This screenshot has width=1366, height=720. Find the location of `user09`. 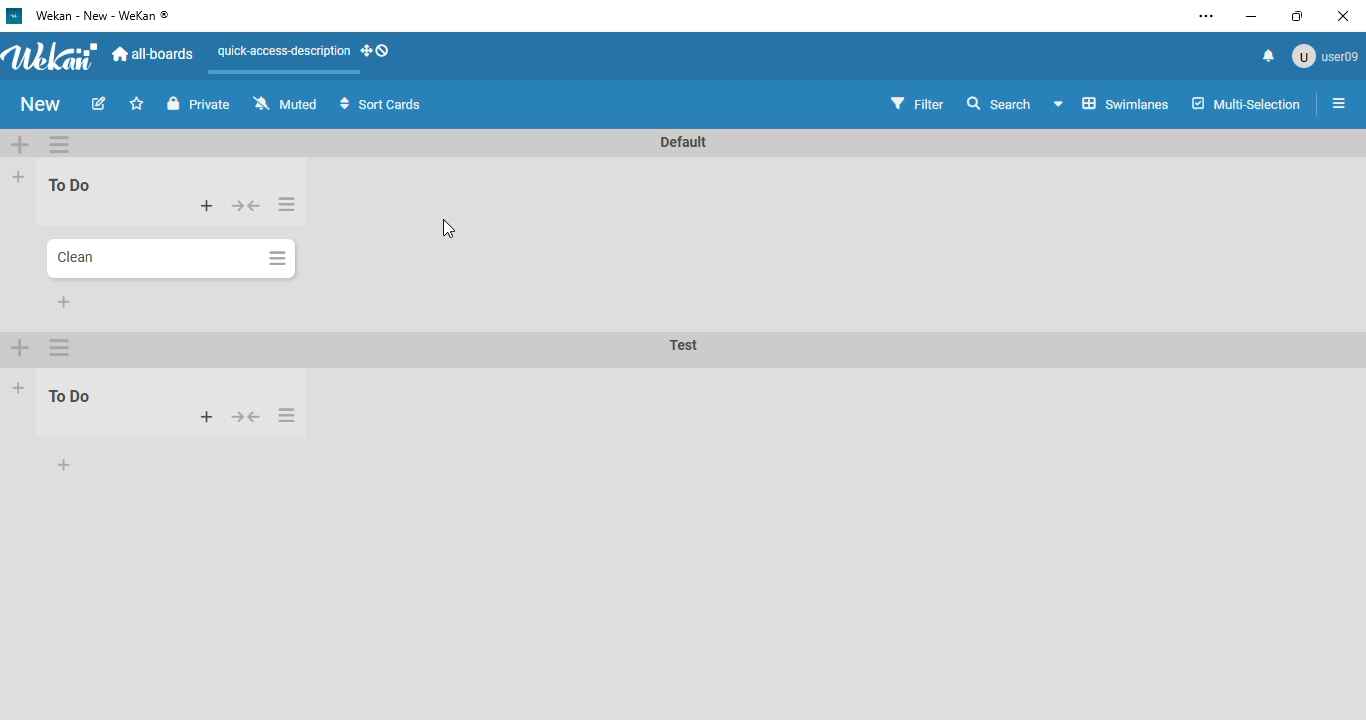

user09 is located at coordinates (1324, 56).